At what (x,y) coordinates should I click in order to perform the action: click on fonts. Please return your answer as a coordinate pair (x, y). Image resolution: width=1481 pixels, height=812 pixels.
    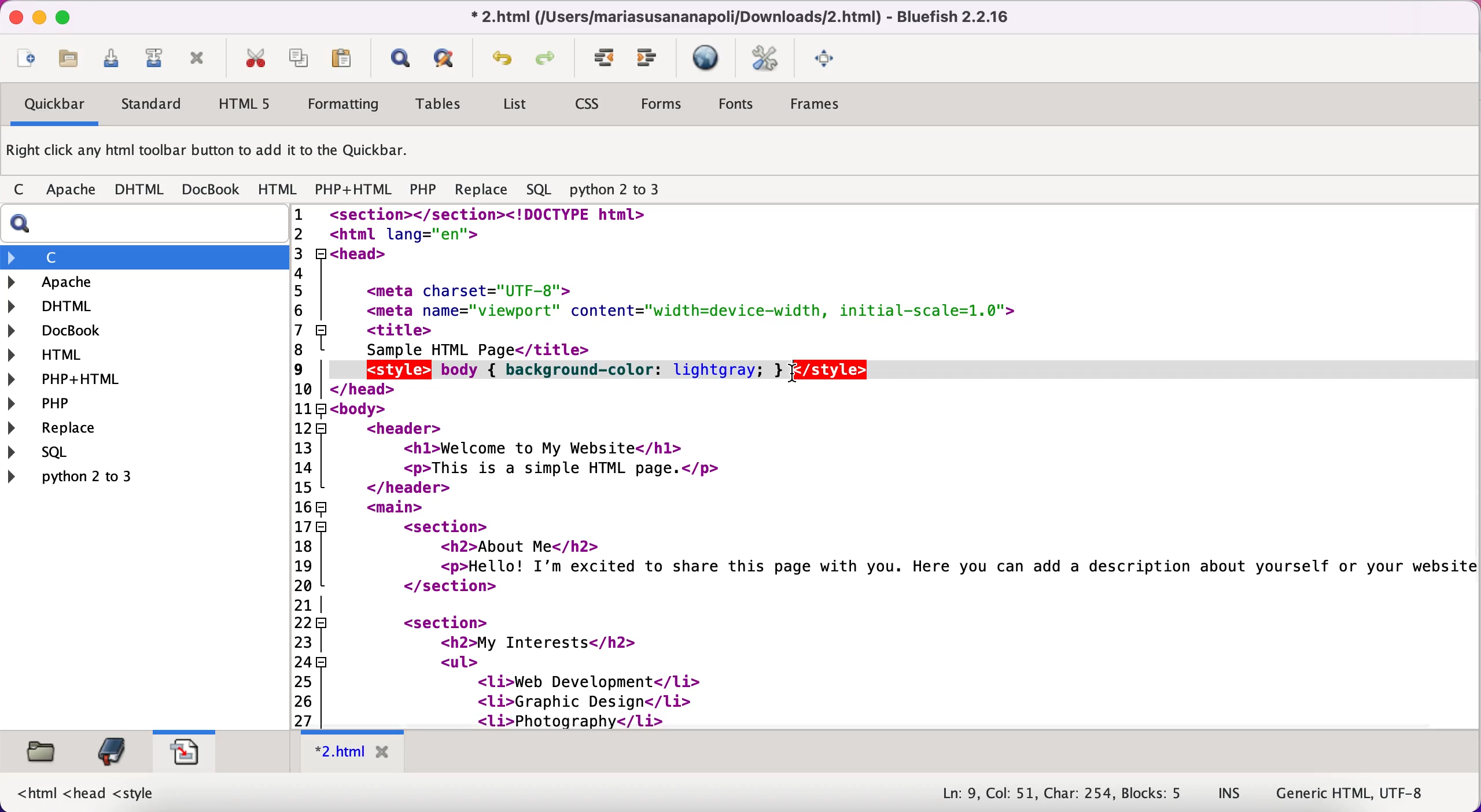
    Looking at the image, I should click on (736, 106).